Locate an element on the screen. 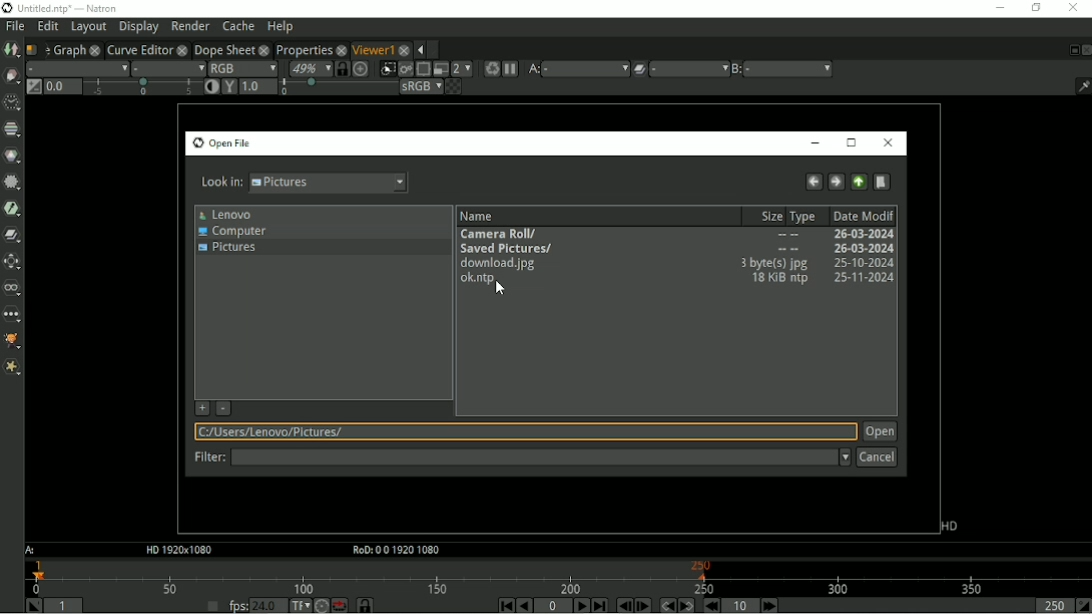 Image resolution: width=1092 pixels, height=614 pixels. Type is located at coordinates (805, 217).